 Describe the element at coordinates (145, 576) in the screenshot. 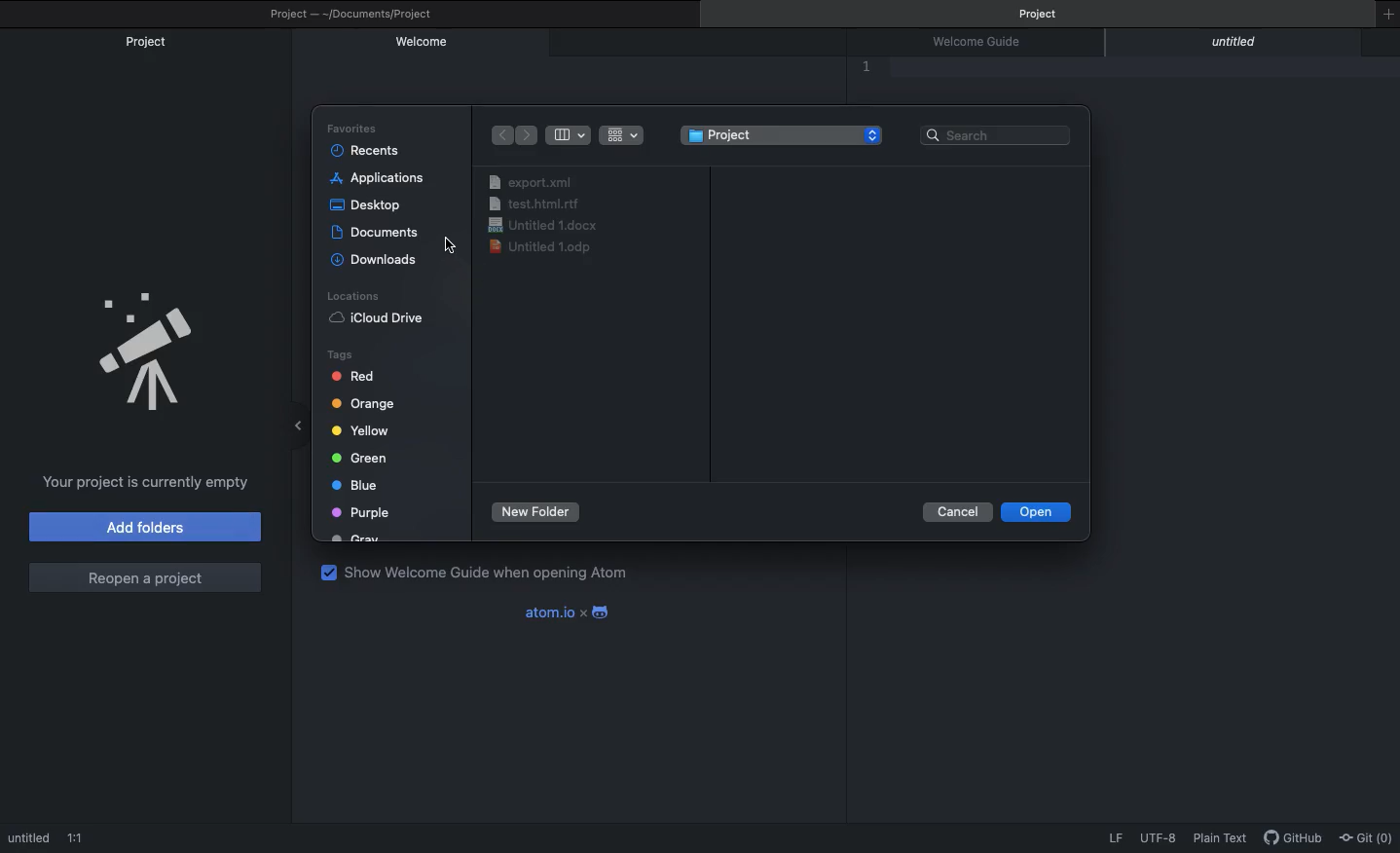

I see `Reopen a project` at that location.